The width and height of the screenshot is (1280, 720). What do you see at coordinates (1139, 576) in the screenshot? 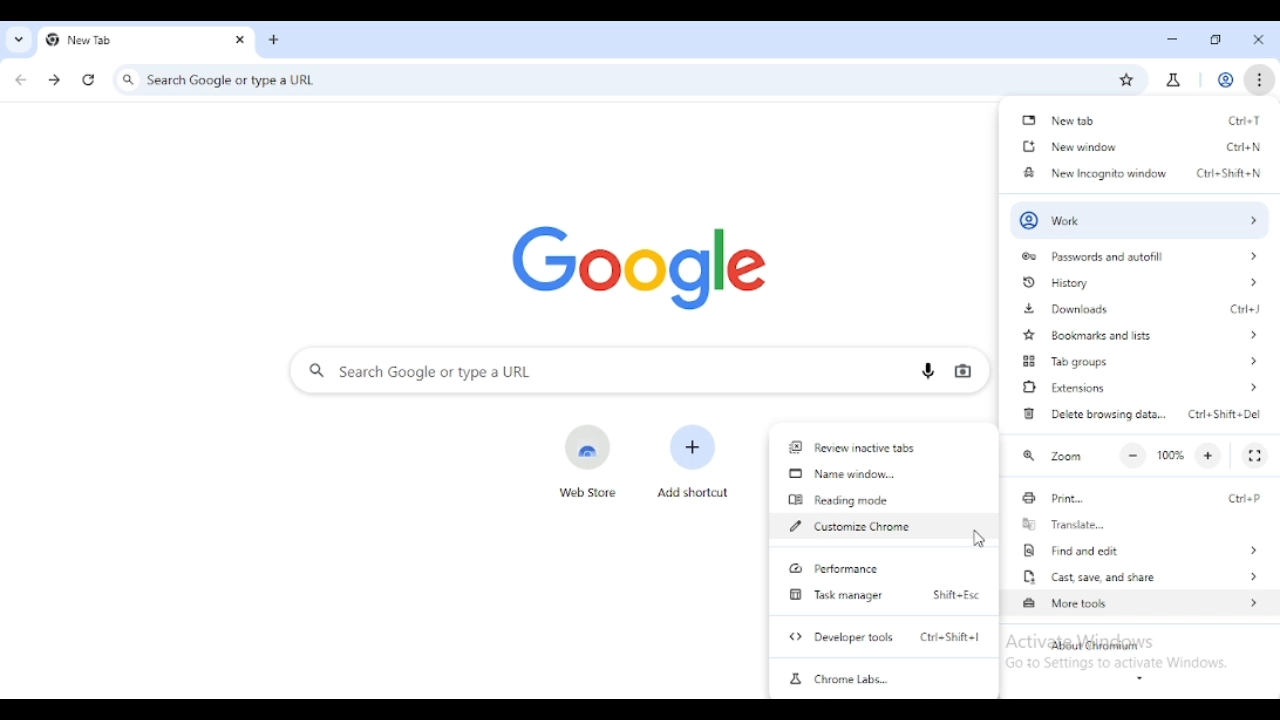
I see `cast, save, and share` at bounding box center [1139, 576].